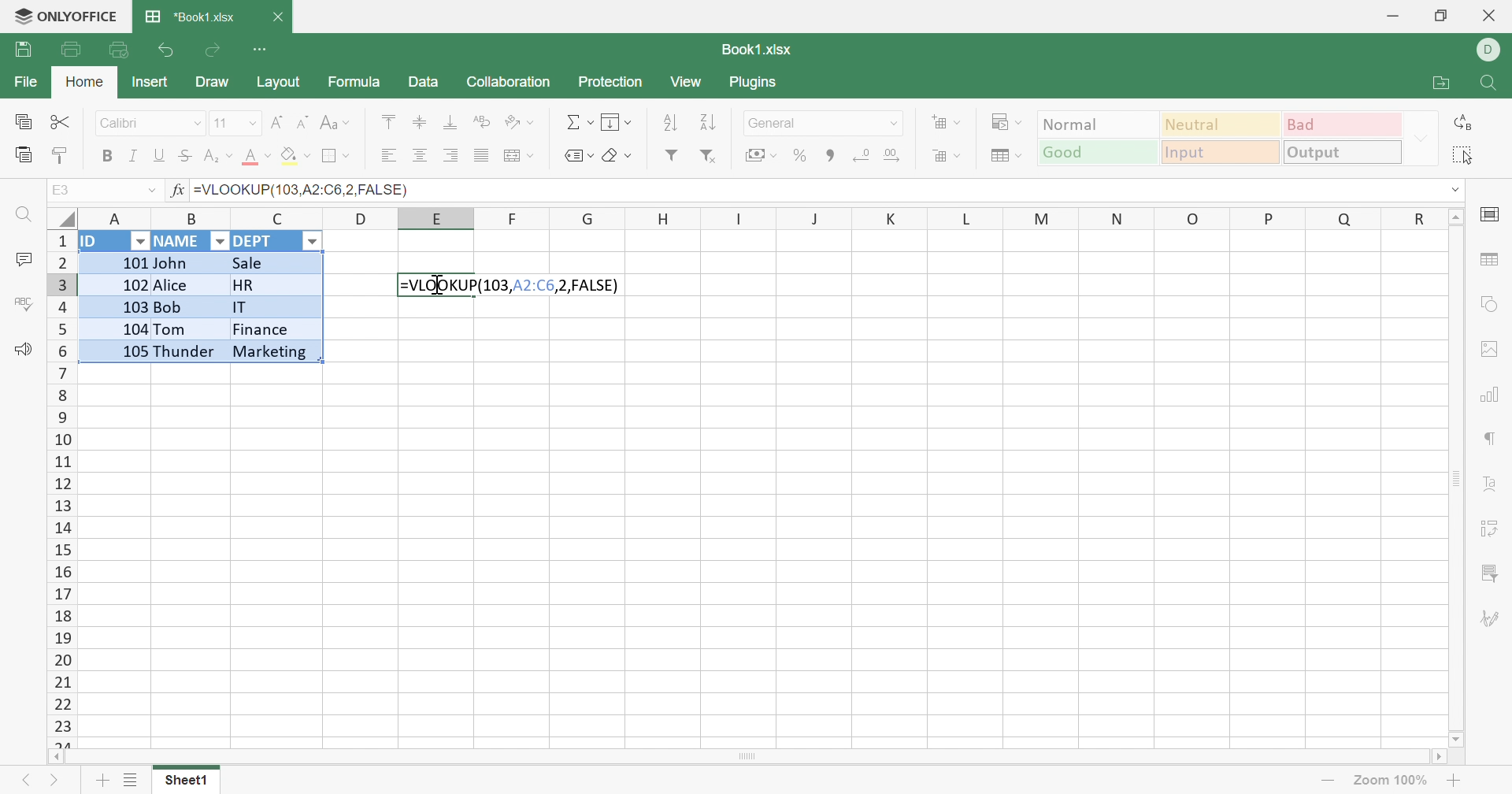  What do you see at coordinates (187, 781) in the screenshot?
I see `Sheet1` at bounding box center [187, 781].